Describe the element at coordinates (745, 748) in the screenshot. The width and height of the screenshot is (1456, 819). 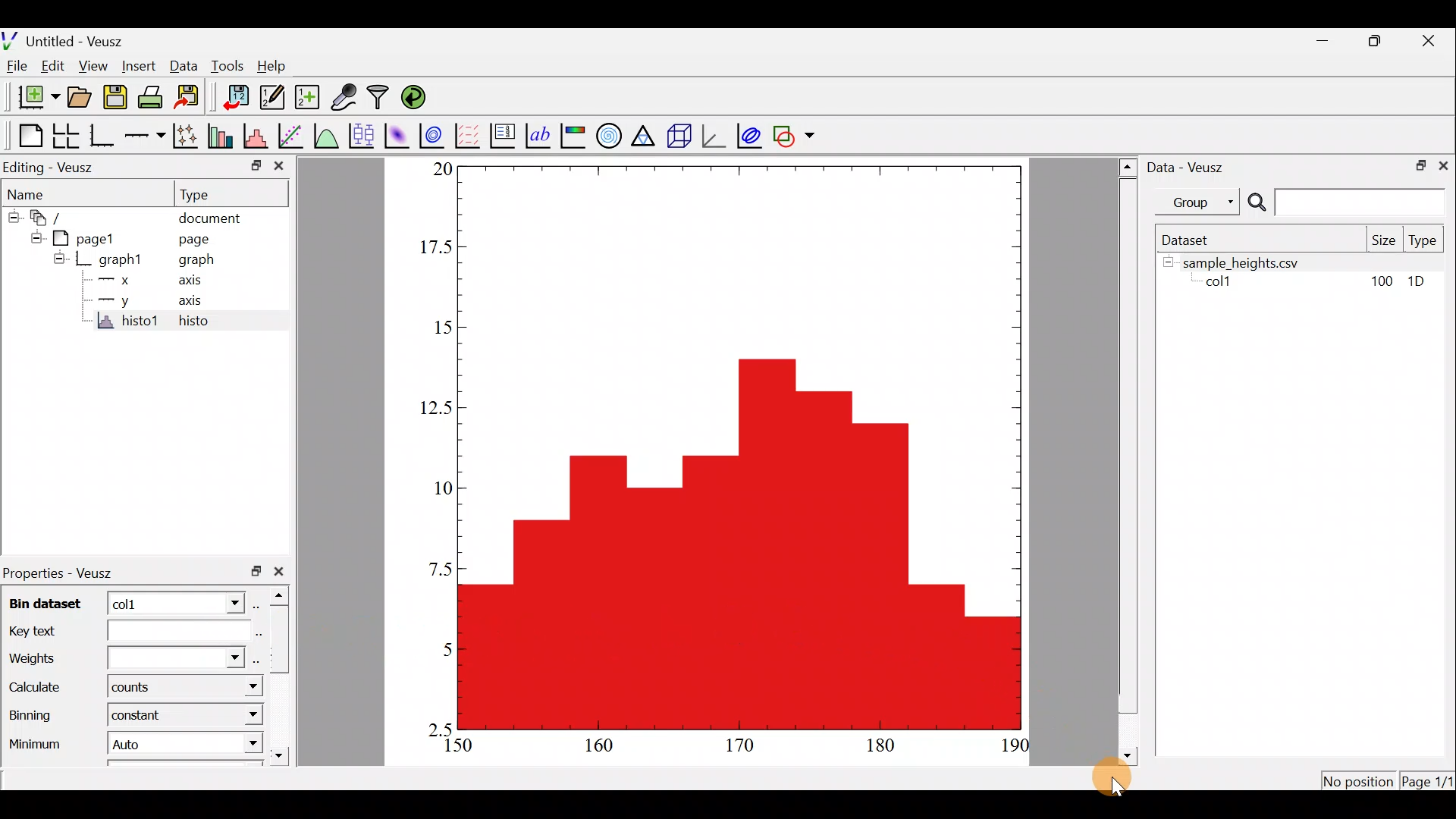
I see `170` at that location.